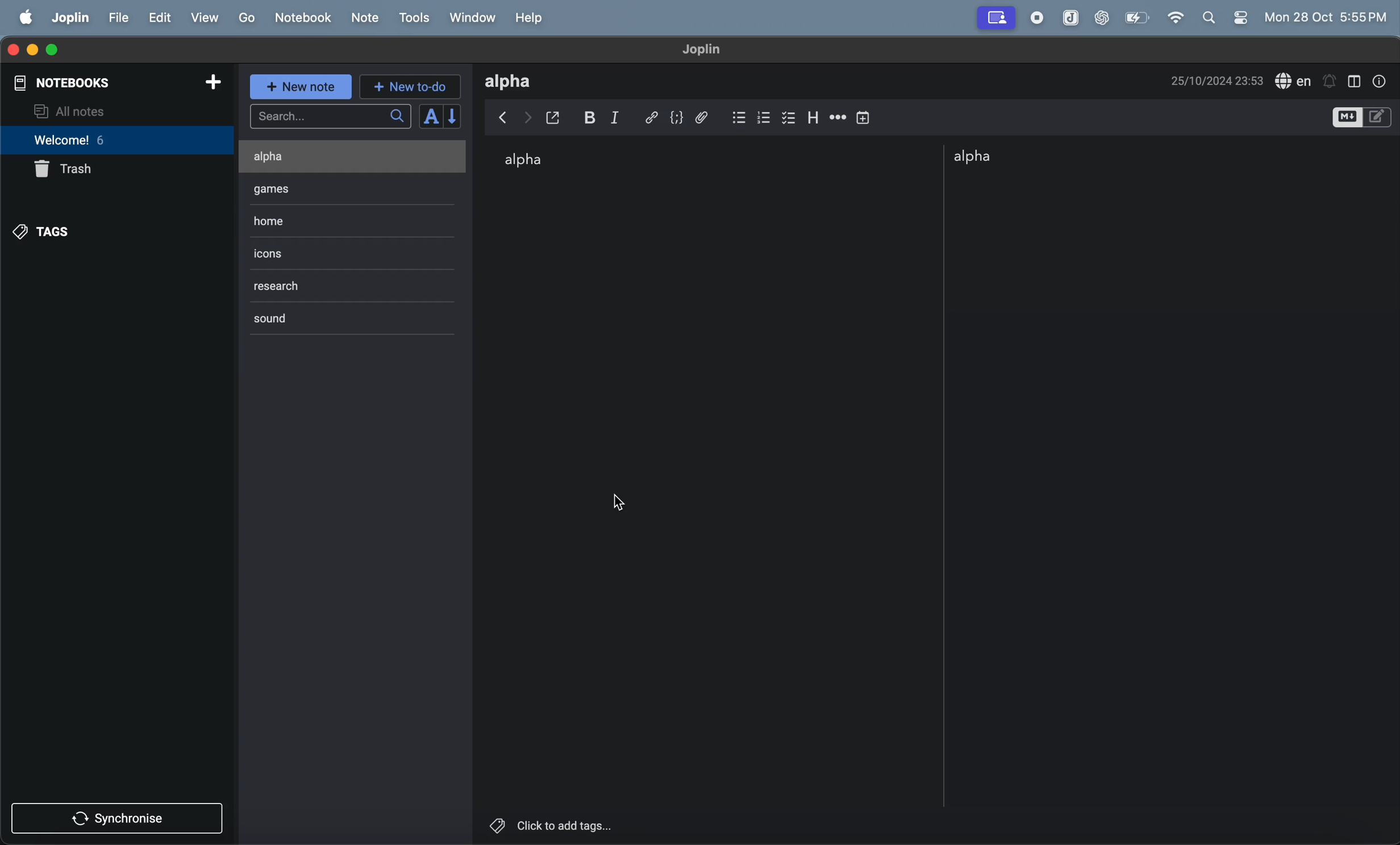 The width and height of the screenshot is (1400, 845). I want to click on note aplha, so click(327, 156).